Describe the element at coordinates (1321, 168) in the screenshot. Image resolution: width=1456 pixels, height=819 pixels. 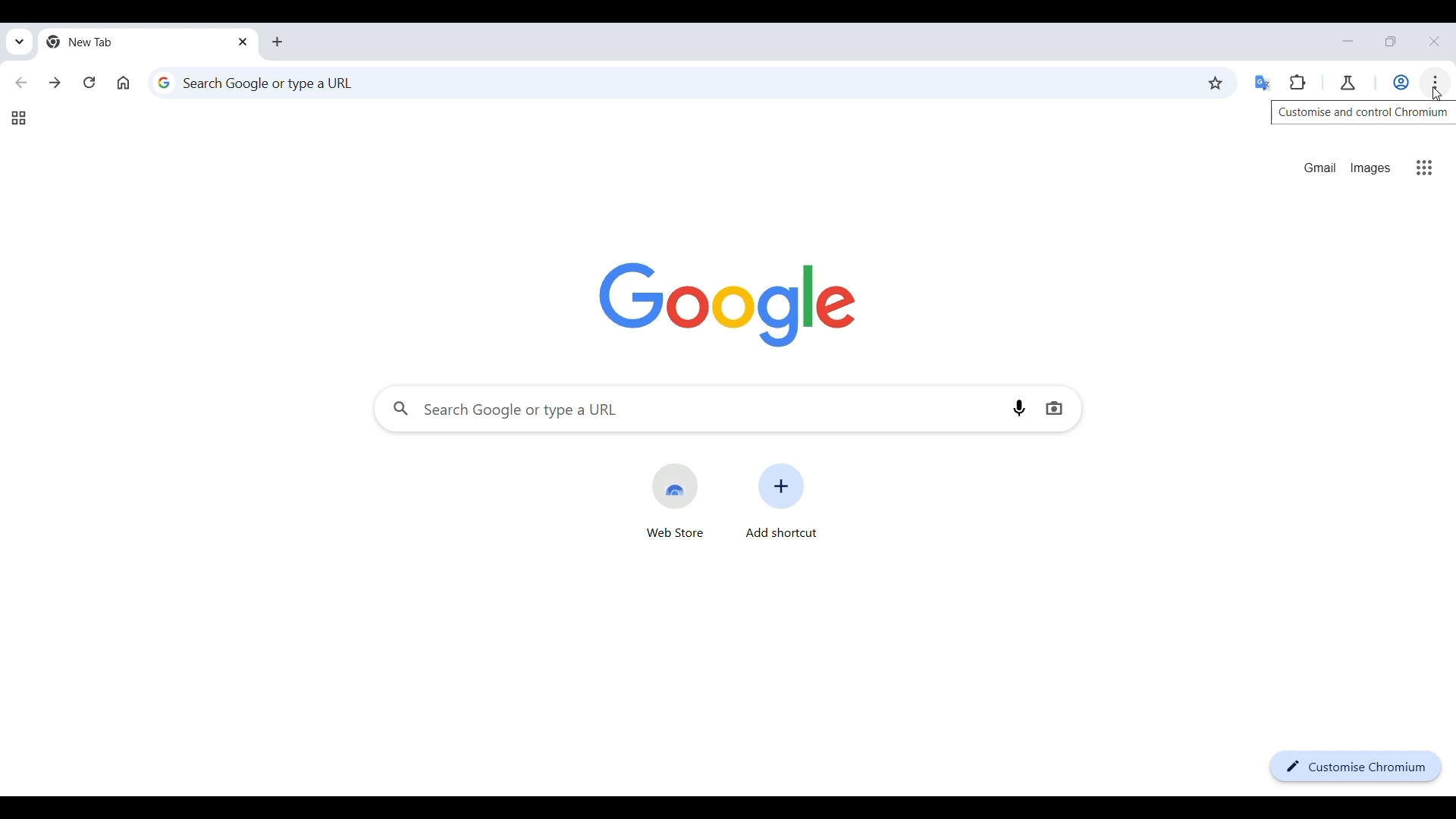
I see `Open Gmail` at that location.